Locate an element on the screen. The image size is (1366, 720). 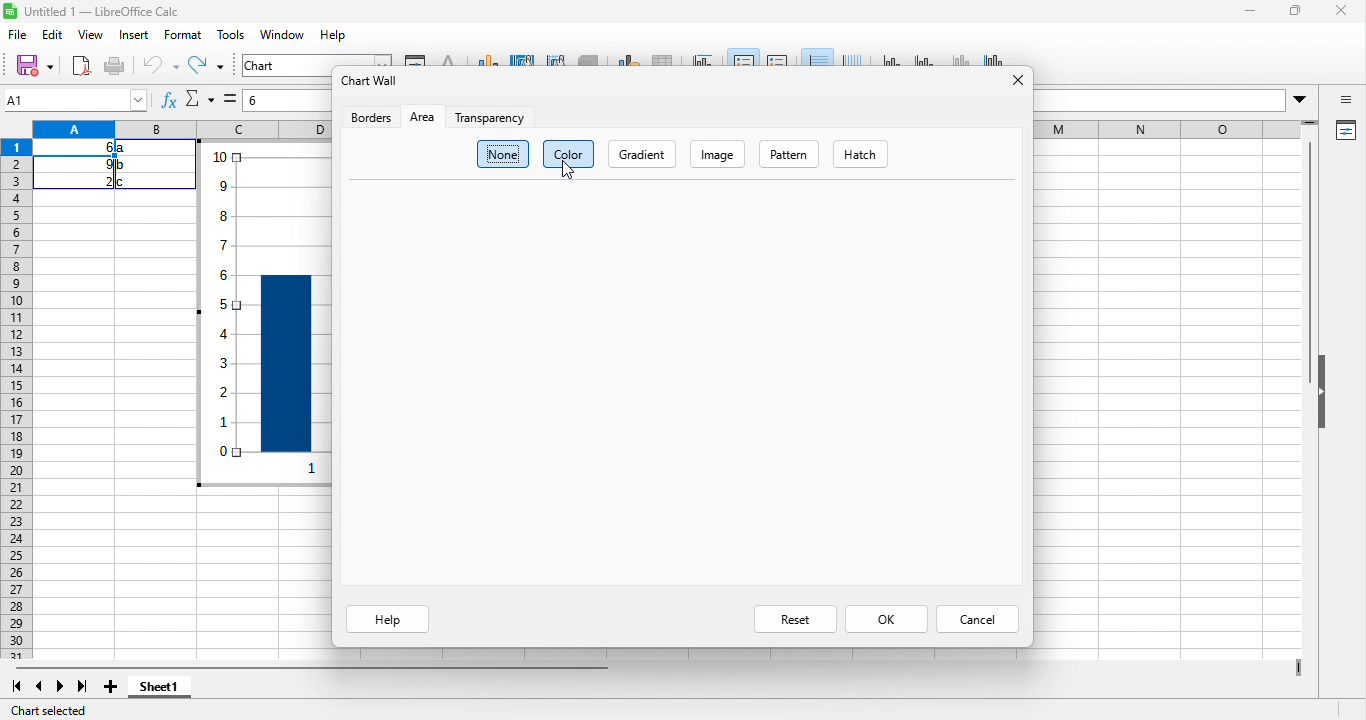
hatch is located at coordinates (879, 154).